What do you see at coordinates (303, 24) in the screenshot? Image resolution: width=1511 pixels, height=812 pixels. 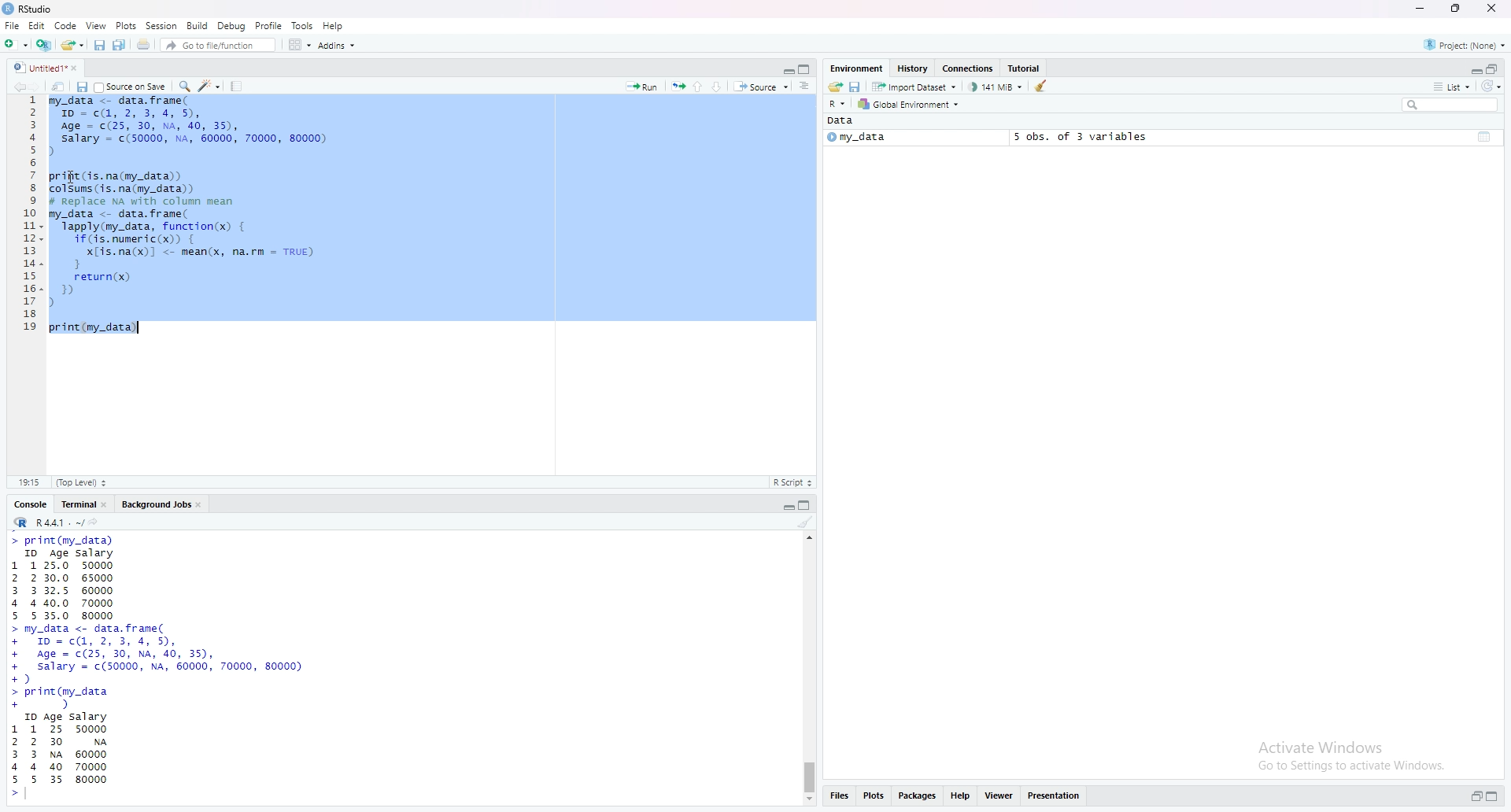 I see `Tools` at bounding box center [303, 24].